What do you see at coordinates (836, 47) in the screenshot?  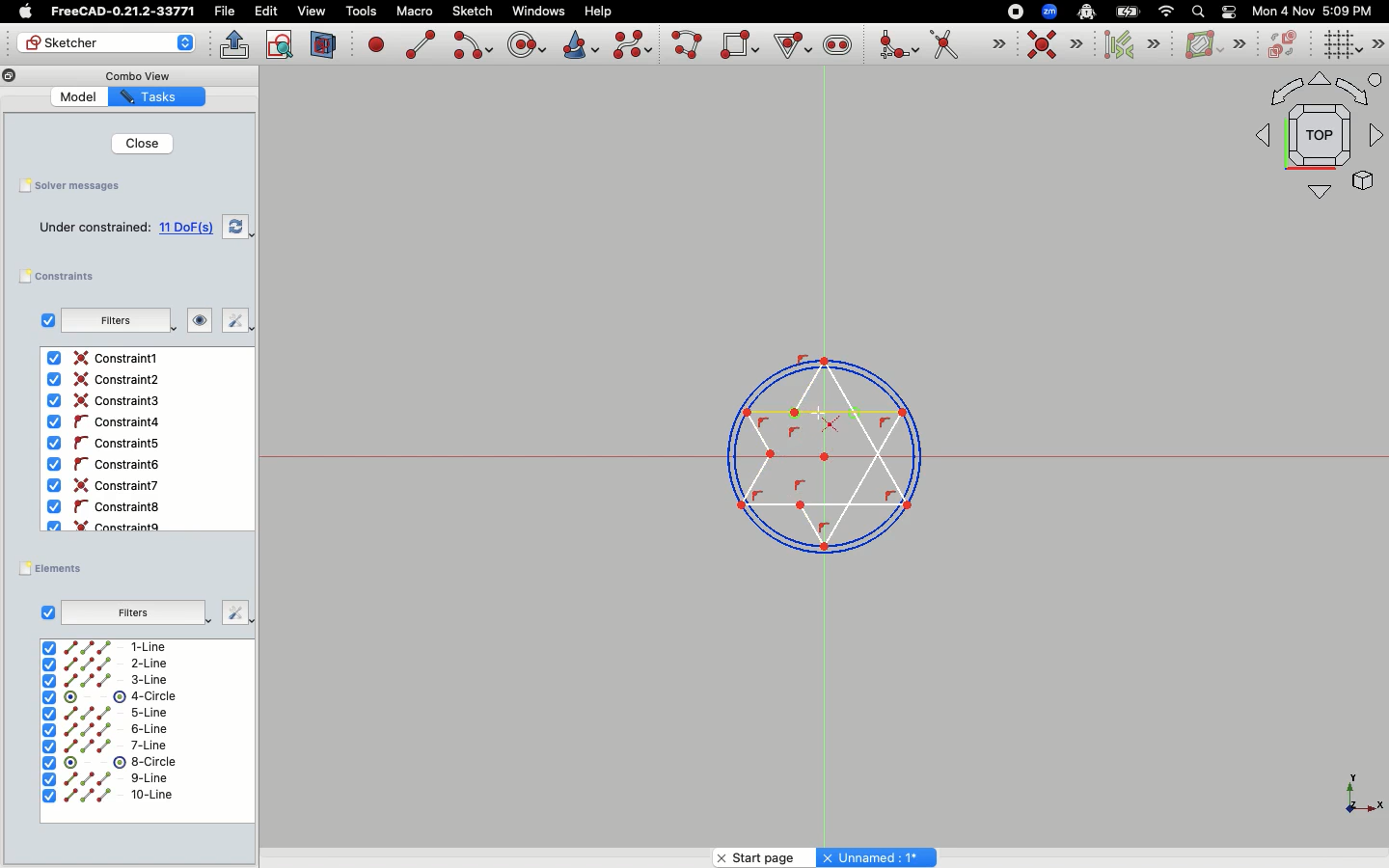 I see `Create slot` at bounding box center [836, 47].